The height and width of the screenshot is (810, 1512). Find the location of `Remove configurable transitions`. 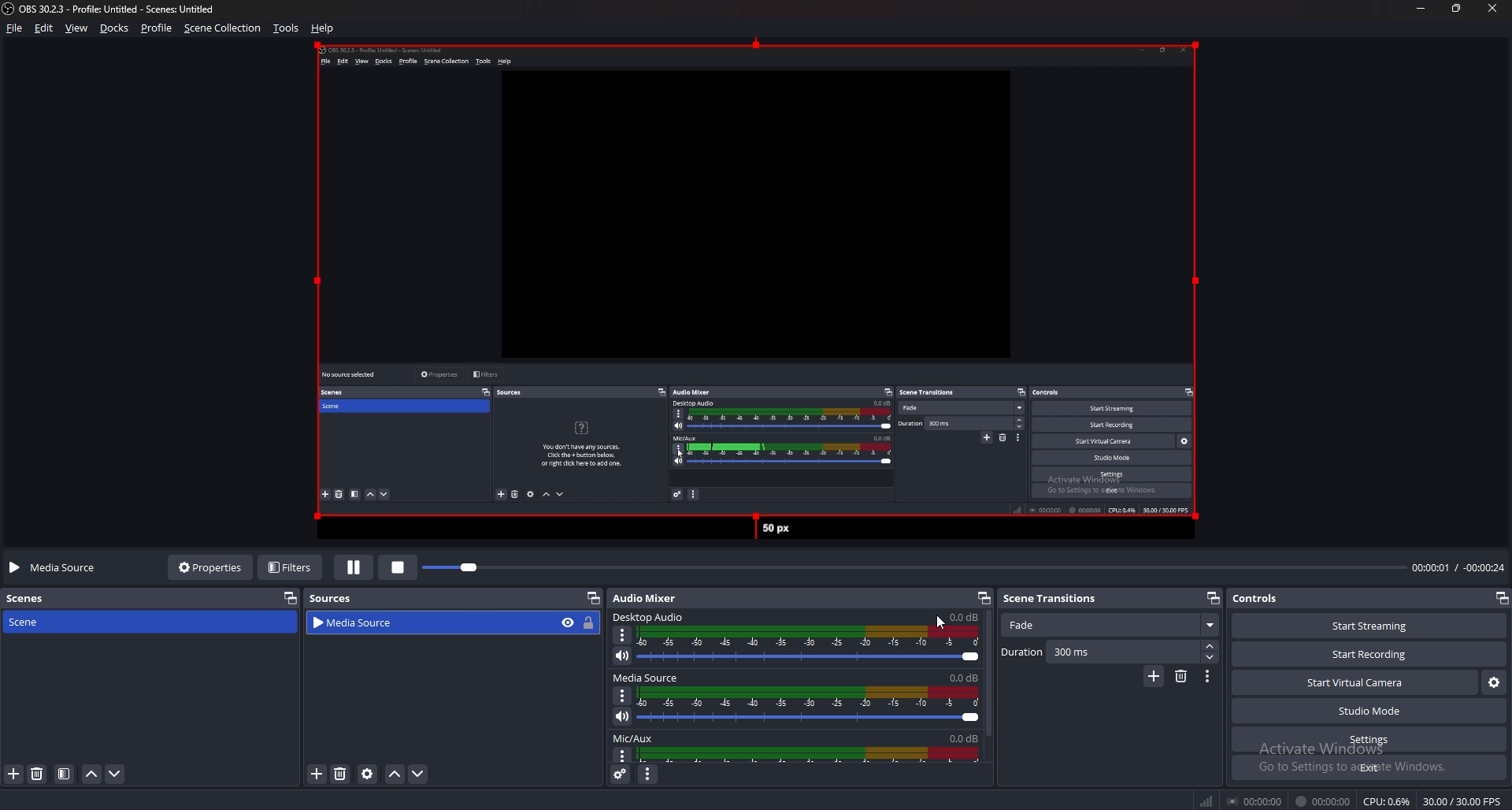

Remove configurable transitions is located at coordinates (1182, 675).